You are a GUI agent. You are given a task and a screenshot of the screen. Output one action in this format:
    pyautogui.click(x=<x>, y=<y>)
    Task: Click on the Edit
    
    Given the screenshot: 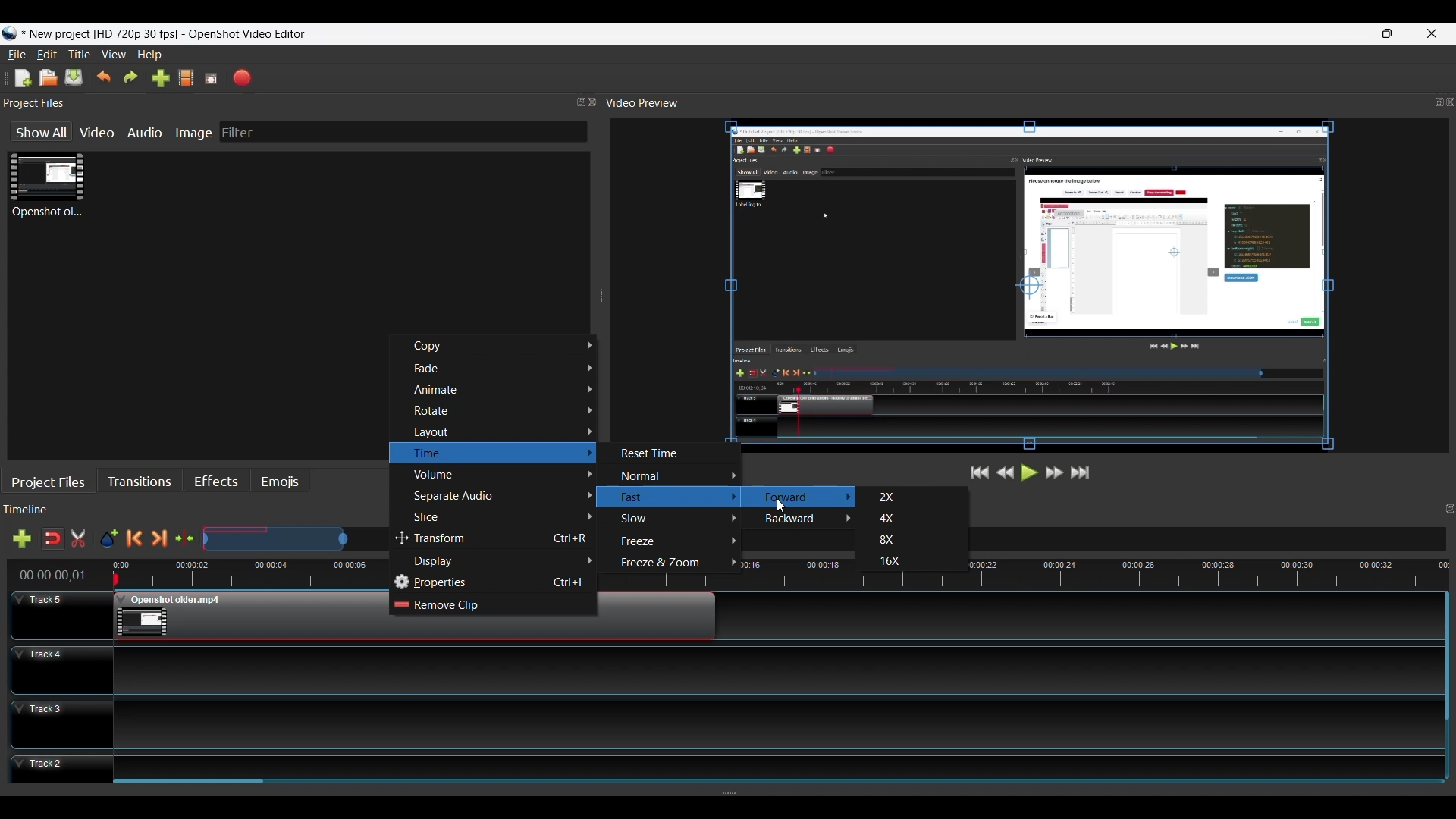 What is the action you would take?
    pyautogui.click(x=47, y=55)
    